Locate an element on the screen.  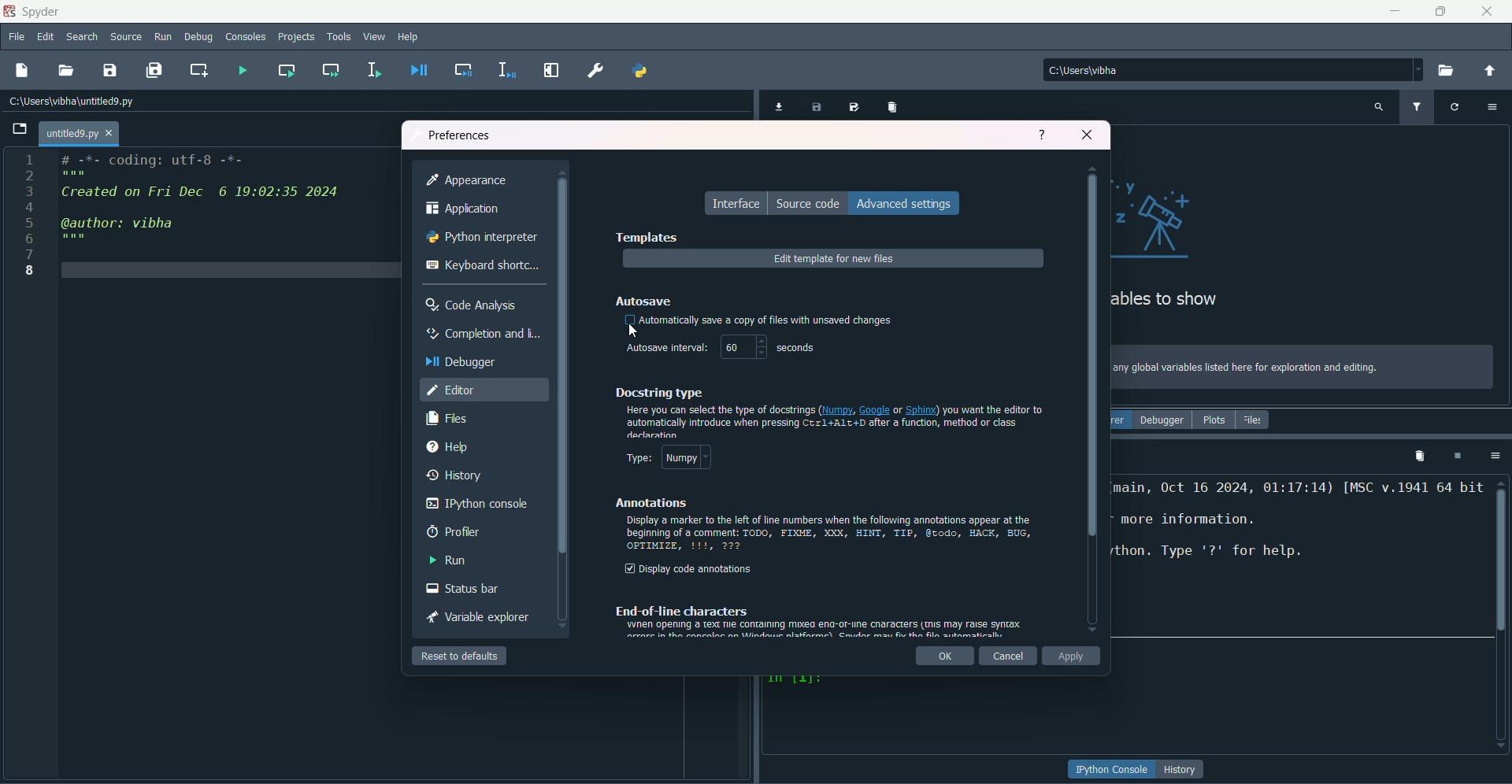
run is located at coordinates (164, 37).